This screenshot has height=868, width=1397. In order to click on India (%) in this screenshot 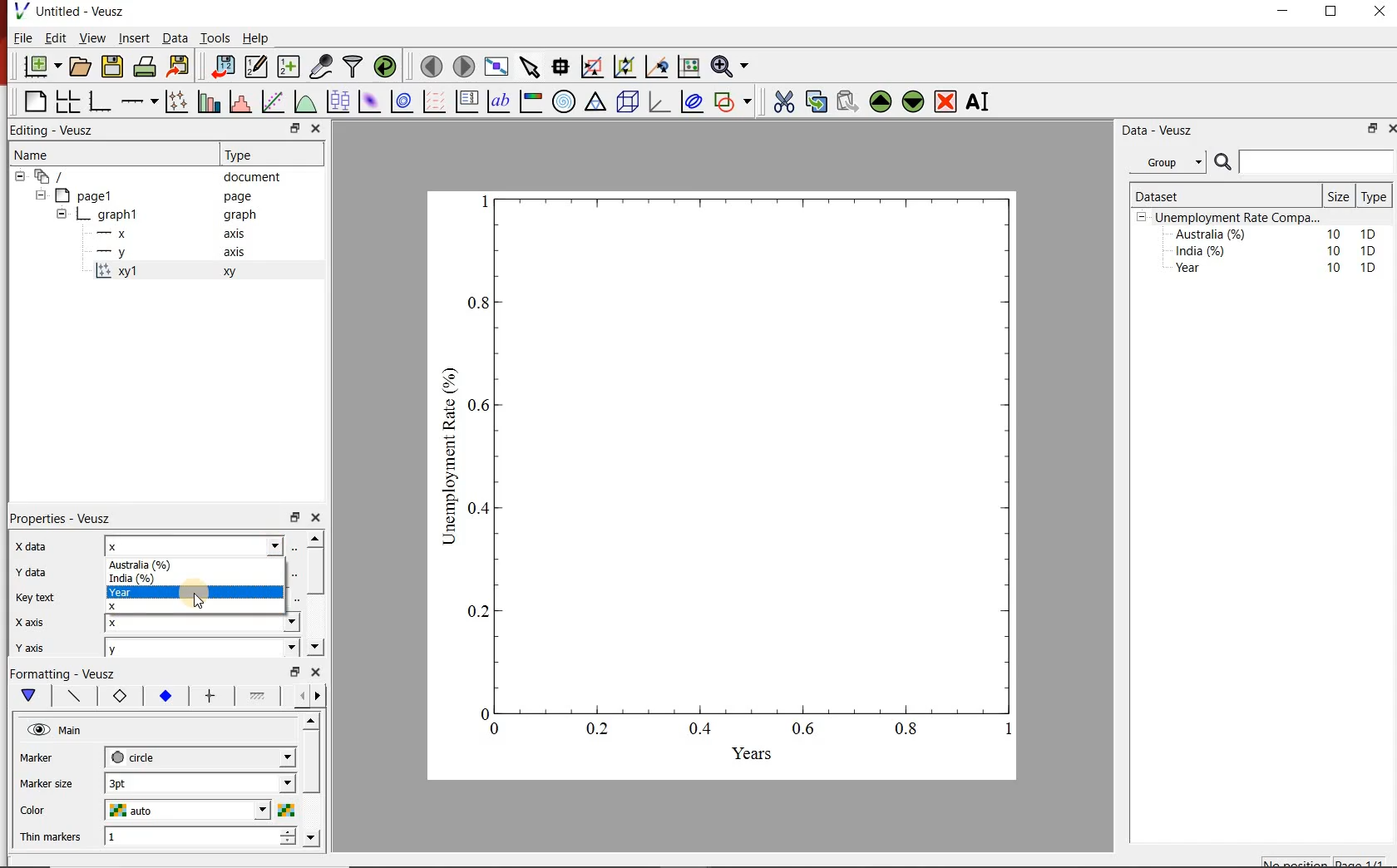, I will do `click(195, 579)`.